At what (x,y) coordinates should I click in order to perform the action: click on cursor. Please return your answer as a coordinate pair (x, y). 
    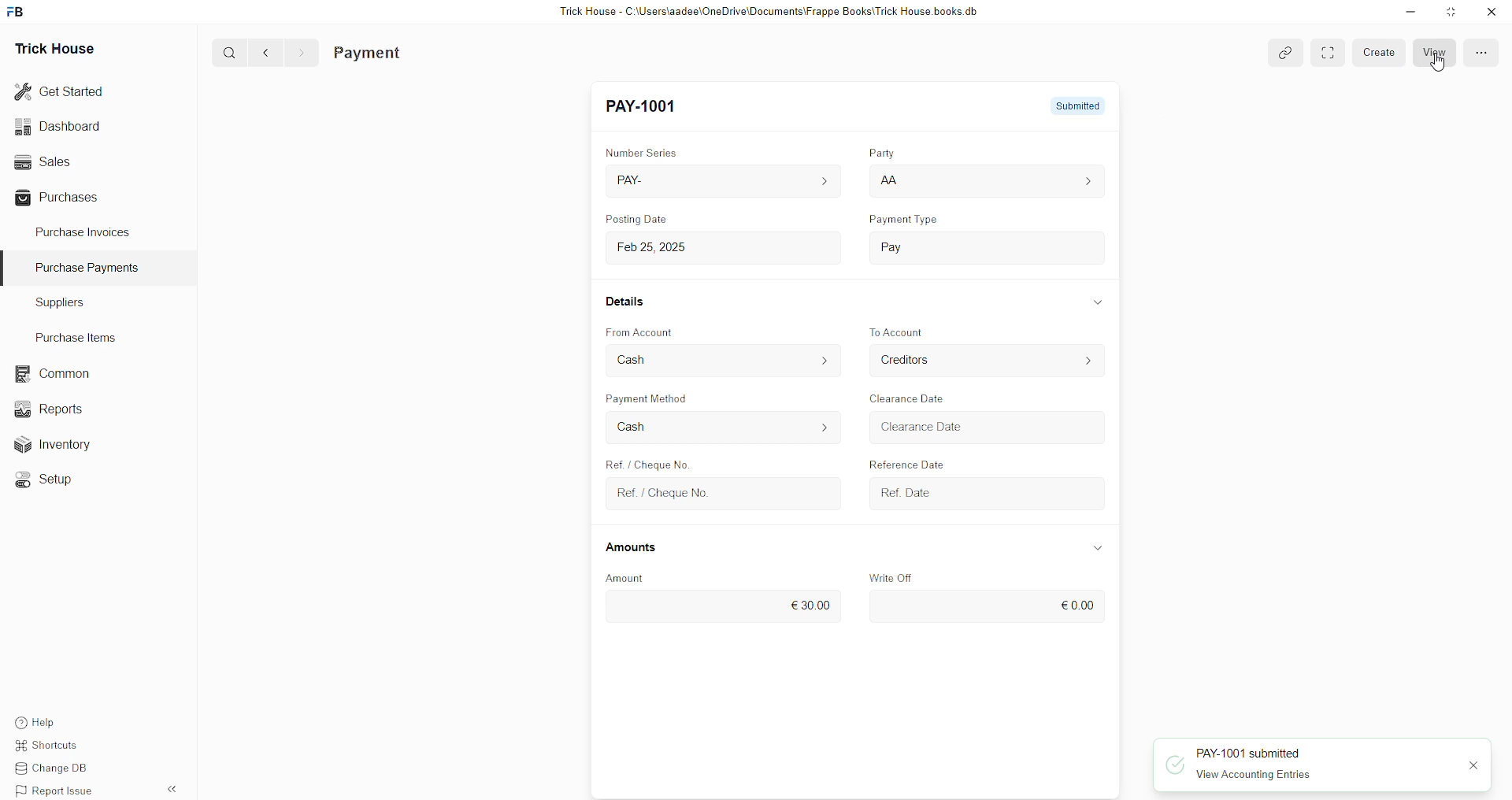
    Looking at the image, I should click on (1440, 65).